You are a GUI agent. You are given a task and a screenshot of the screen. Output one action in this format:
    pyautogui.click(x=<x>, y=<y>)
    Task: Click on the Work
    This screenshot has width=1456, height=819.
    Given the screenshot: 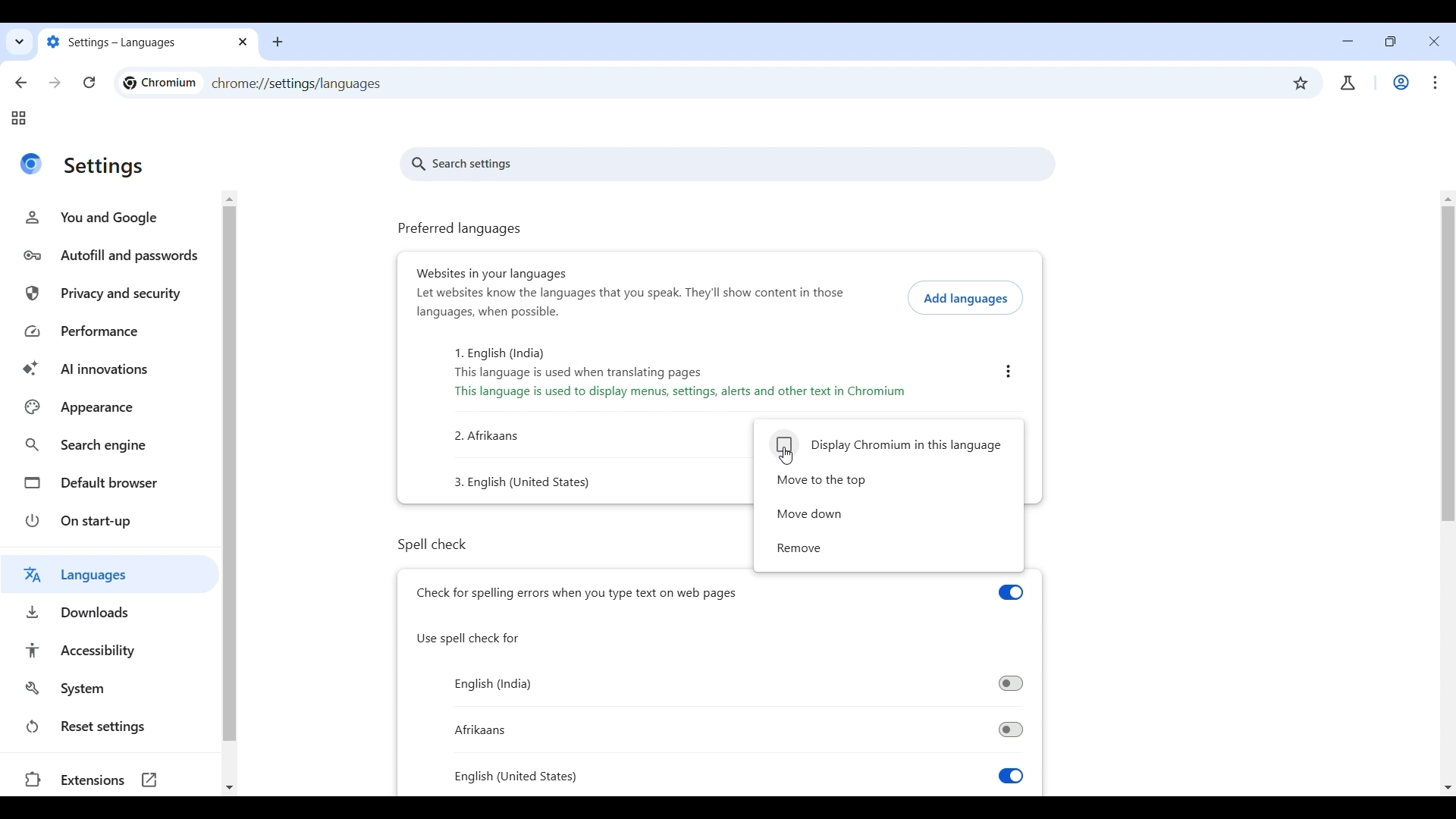 What is the action you would take?
    pyautogui.click(x=1401, y=82)
    